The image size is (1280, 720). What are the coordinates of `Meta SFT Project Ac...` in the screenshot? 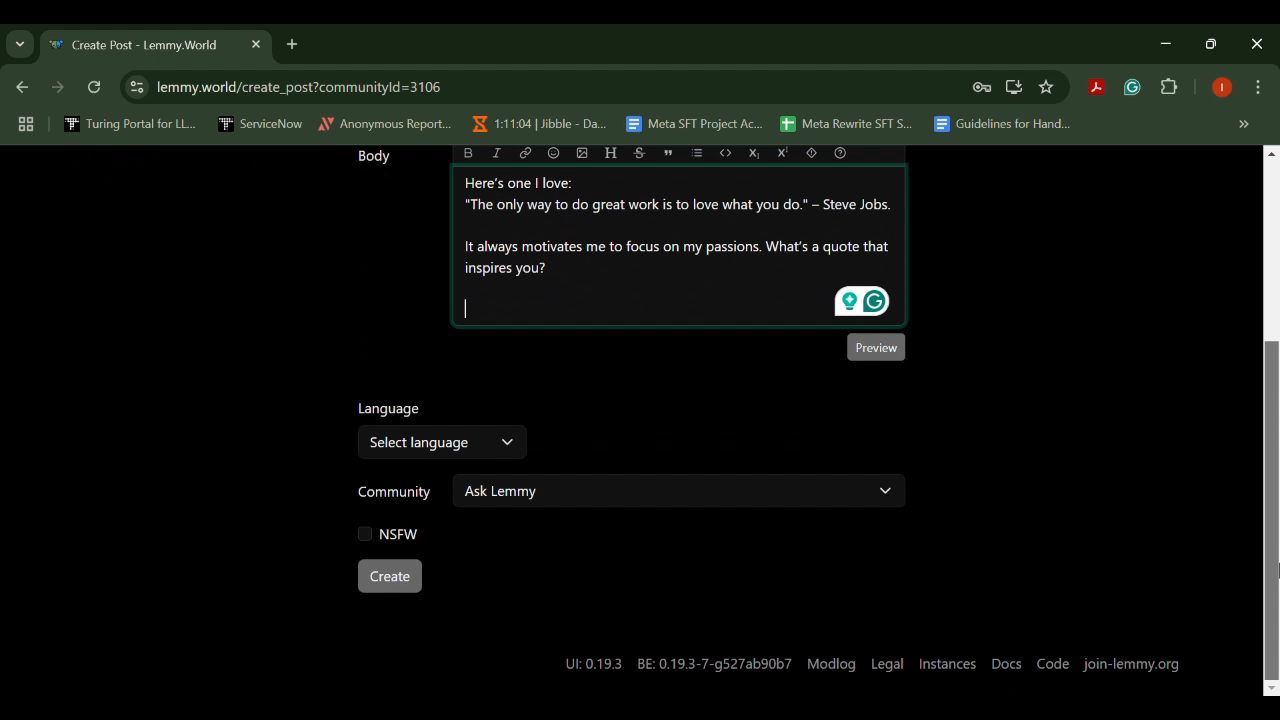 It's located at (693, 125).